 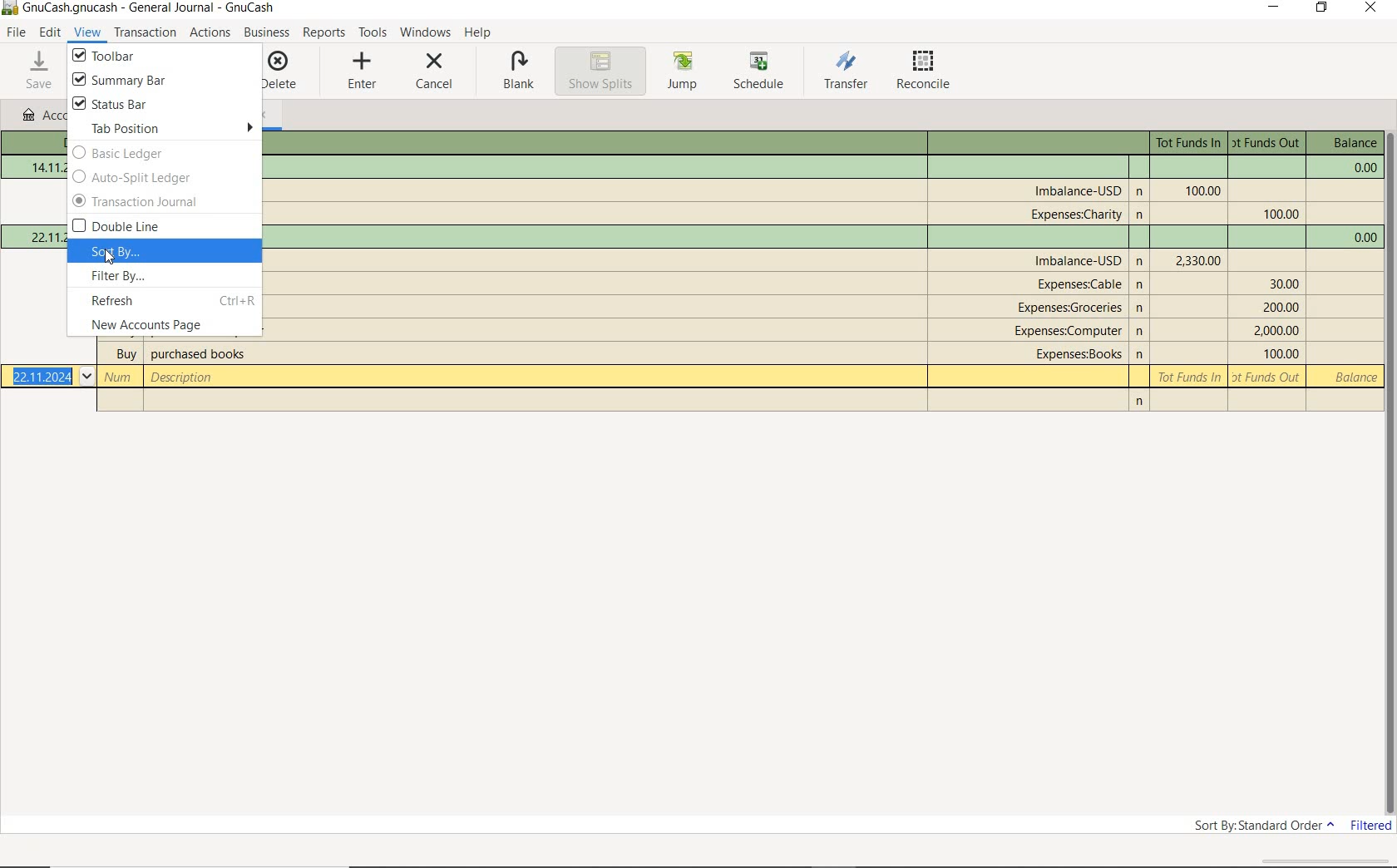 What do you see at coordinates (1267, 143) in the screenshot?
I see `Tot Funds Out` at bounding box center [1267, 143].